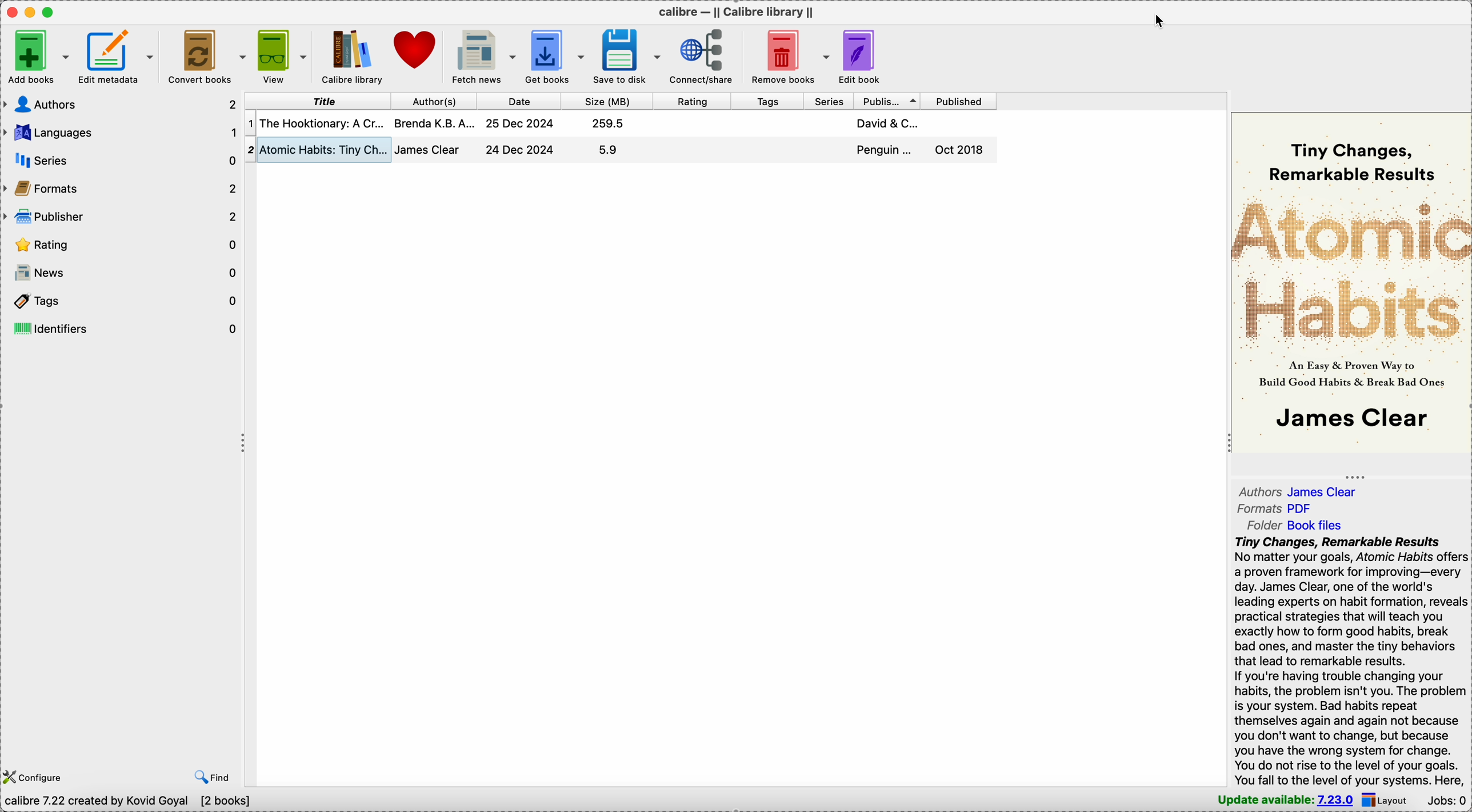 Image resolution: width=1472 pixels, height=812 pixels. Describe the element at coordinates (35, 777) in the screenshot. I see `configure` at that location.